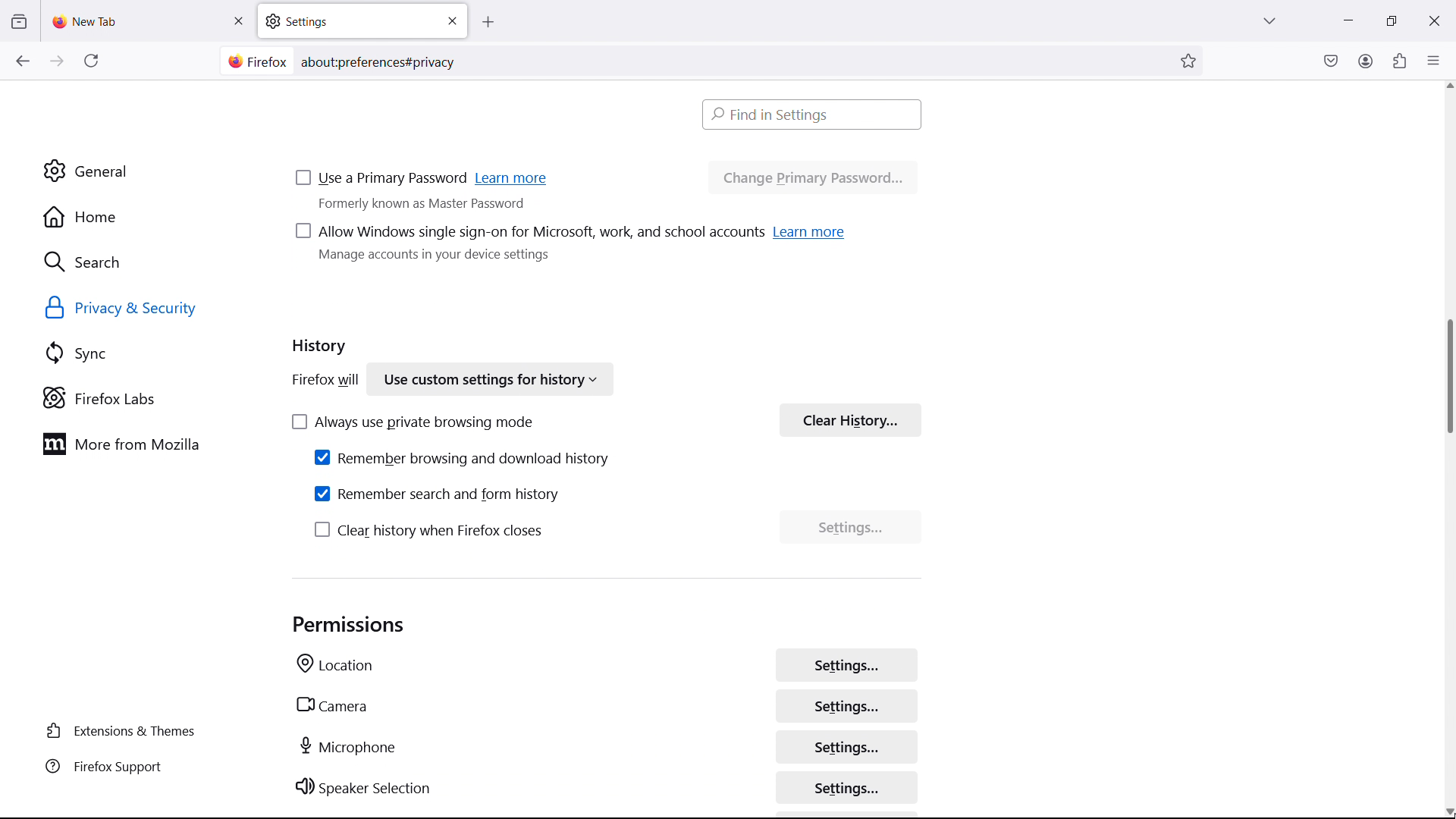 The height and width of the screenshot is (819, 1456). What do you see at coordinates (22, 61) in the screenshot?
I see `go back one page, right click or pull down to show history` at bounding box center [22, 61].